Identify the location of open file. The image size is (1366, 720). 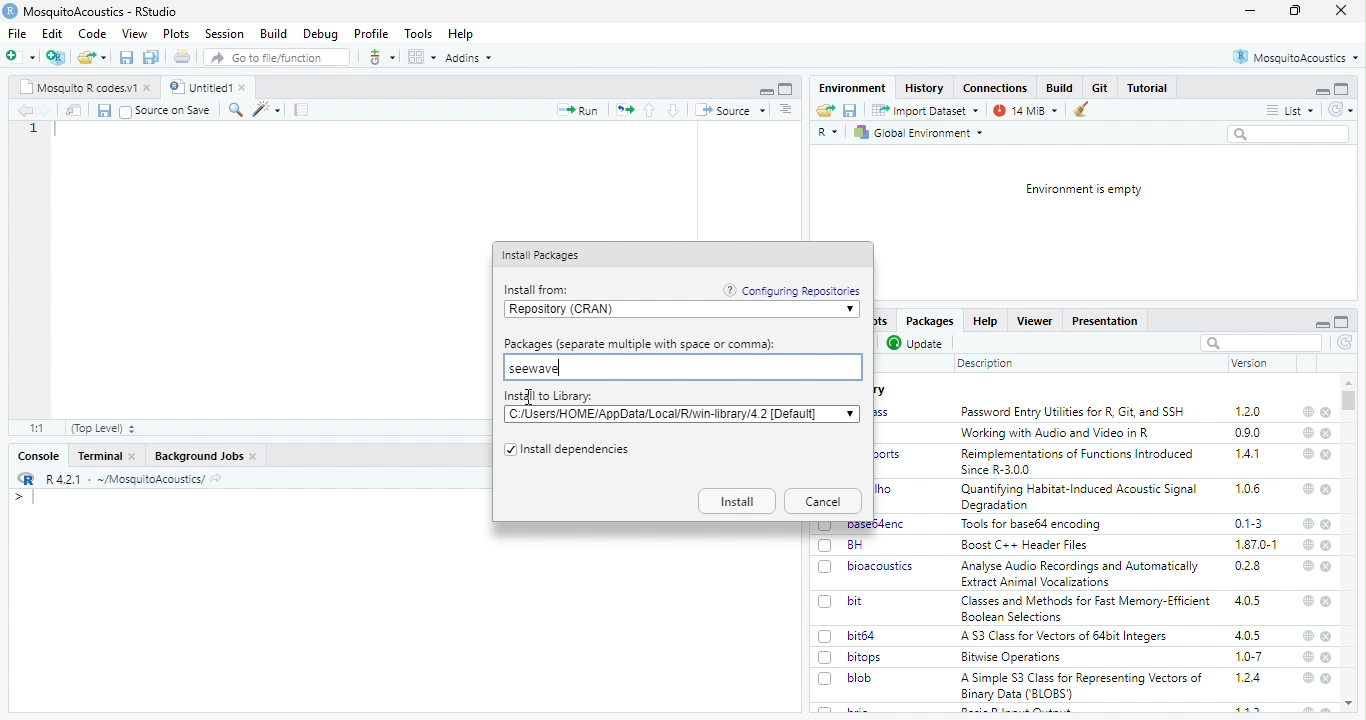
(21, 57).